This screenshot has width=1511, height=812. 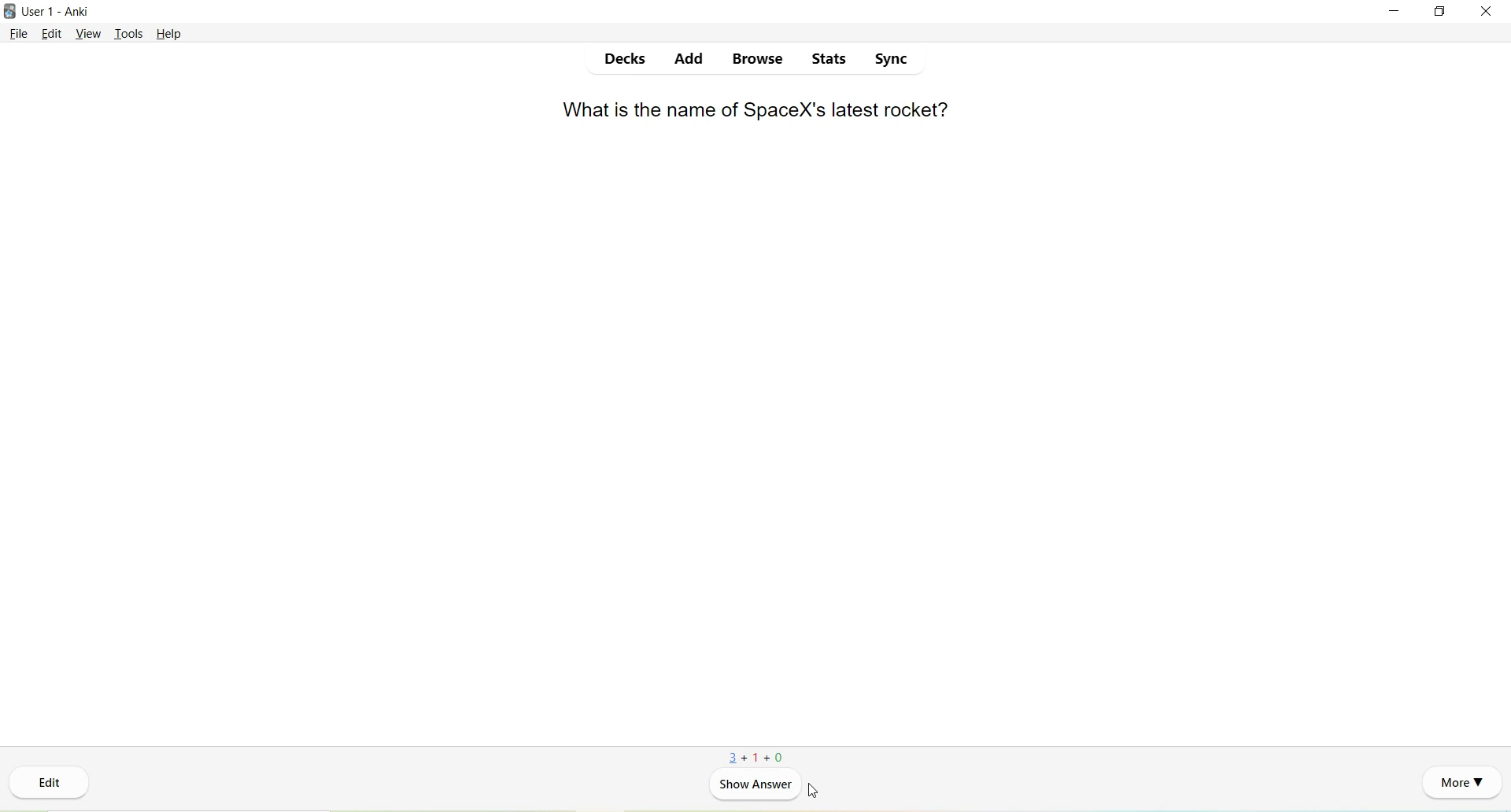 I want to click on Add, so click(x=690, y=60).